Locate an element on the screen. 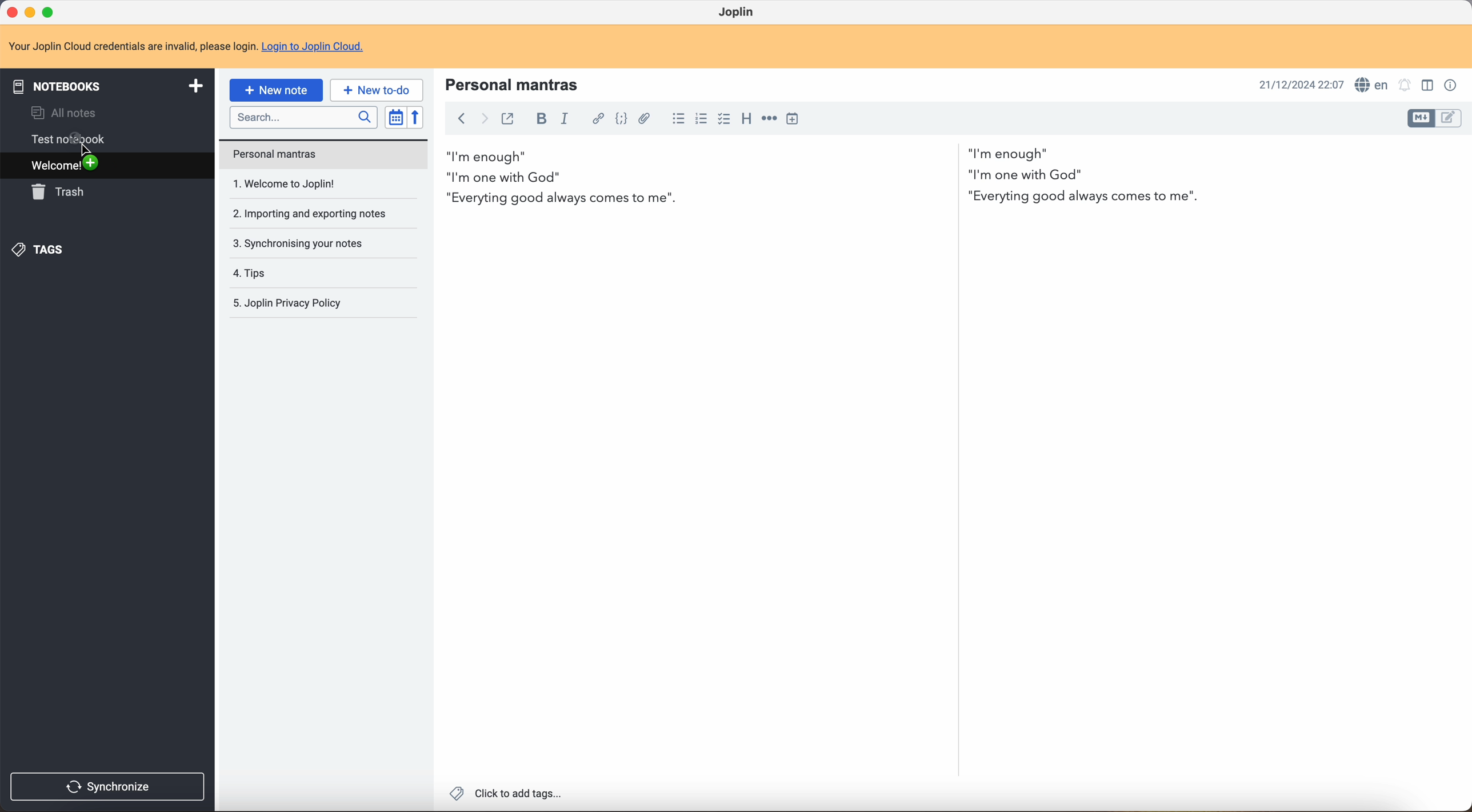 This screenshot has width=1472, height=812. test notebook is located at coordinates (74, 139).